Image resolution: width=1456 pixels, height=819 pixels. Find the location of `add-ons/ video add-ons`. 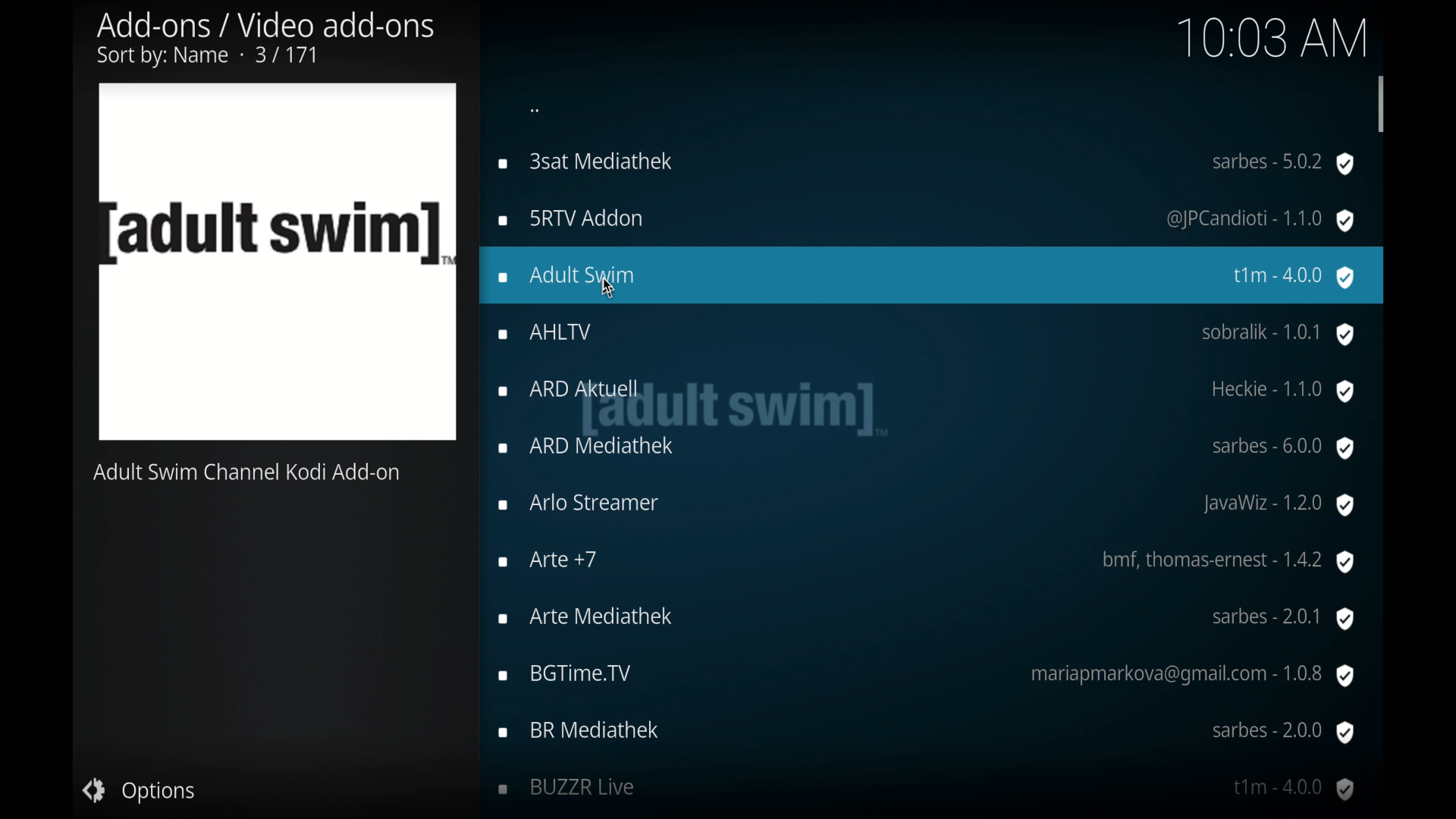

add-ons/ video add-ons is located at coordinates (265, 39).